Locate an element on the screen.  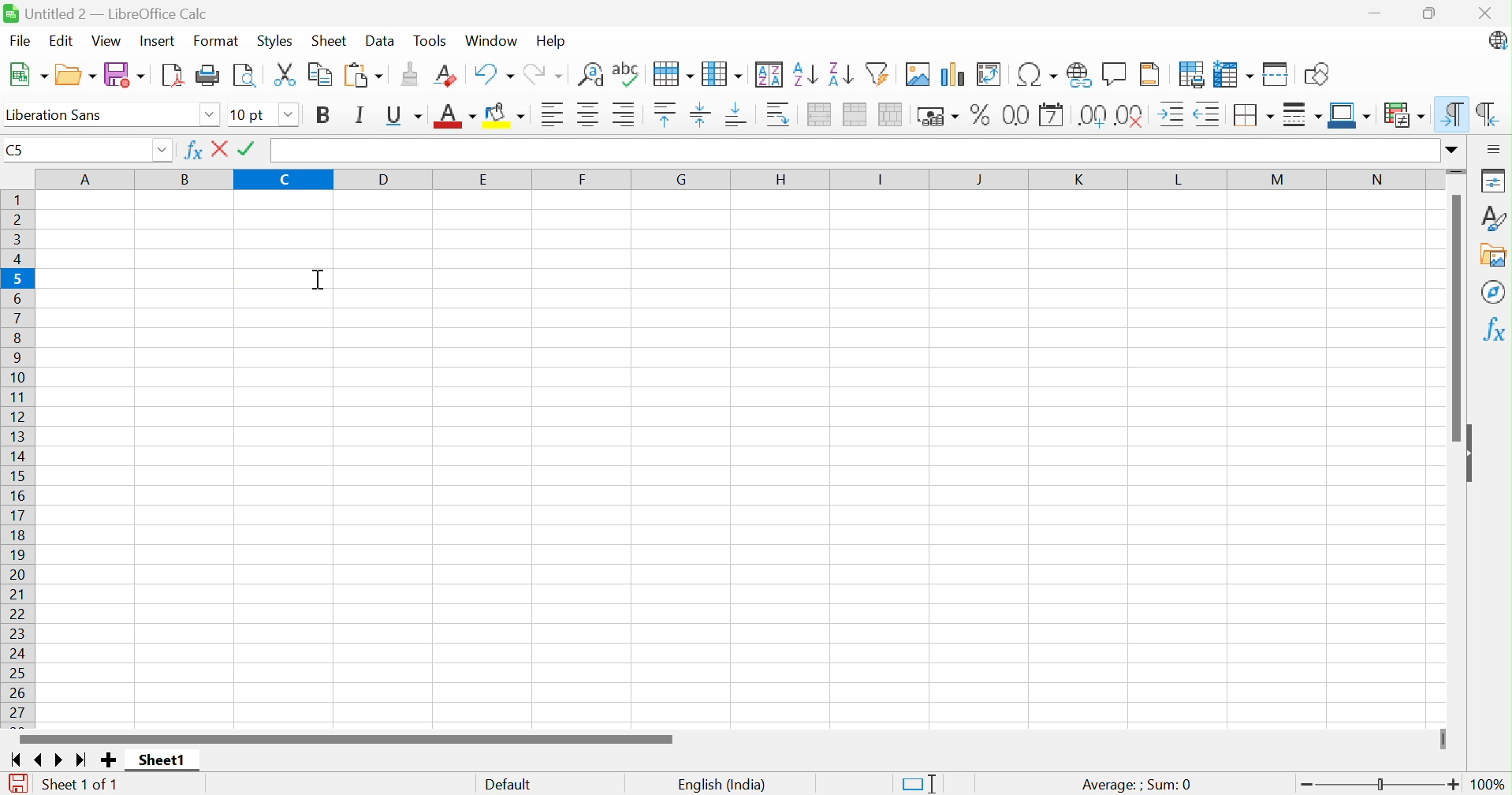
Format is located at coordinates (218, 42).